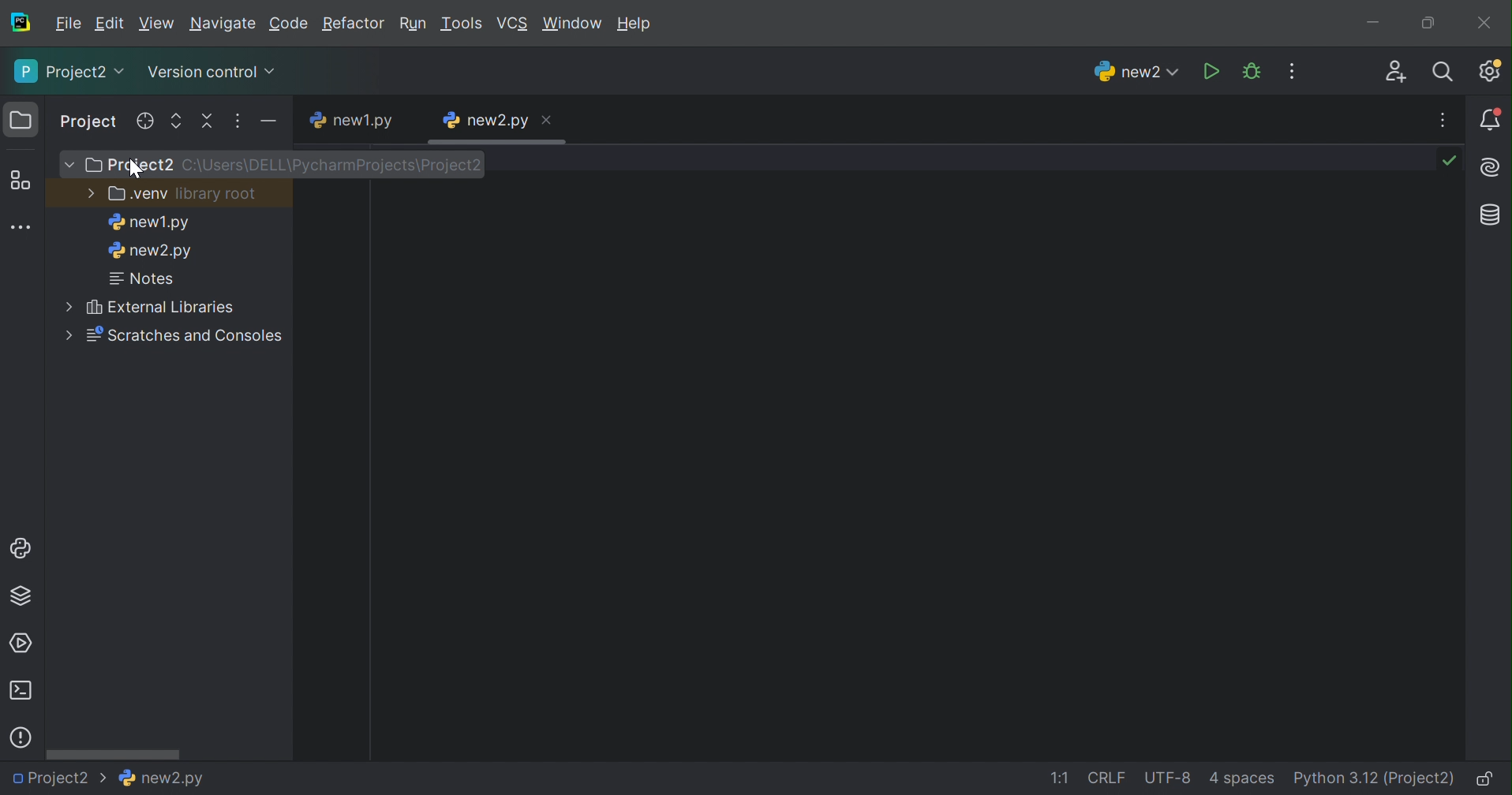 The width and height of the screenshot is (1512, 795). What do you see at coordinates (159, 778) in the screenshot?
I see `` at bounding box center [159, 778].